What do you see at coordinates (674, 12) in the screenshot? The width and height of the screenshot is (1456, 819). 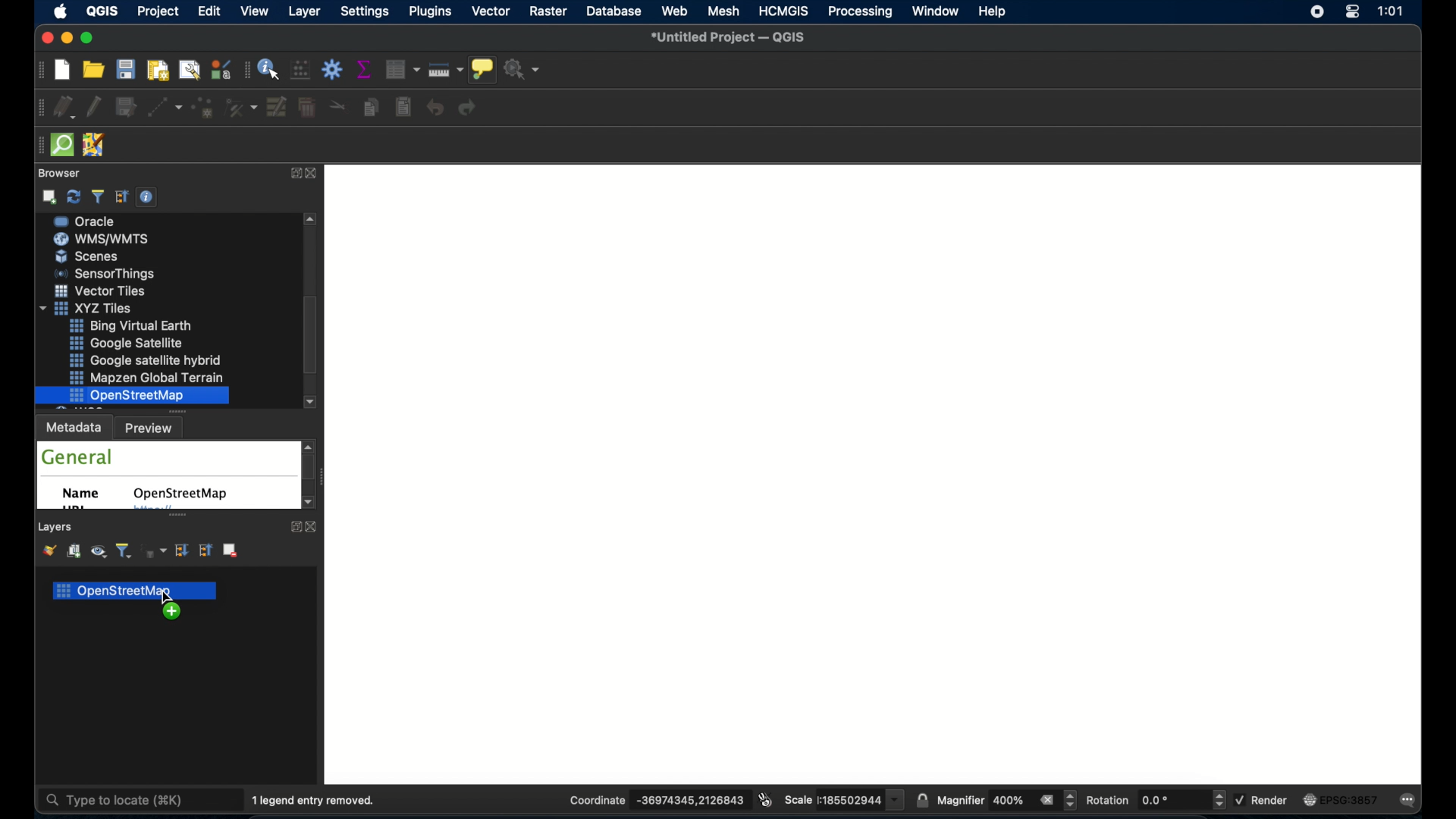 I see `web` at bounding box center [674, 12].